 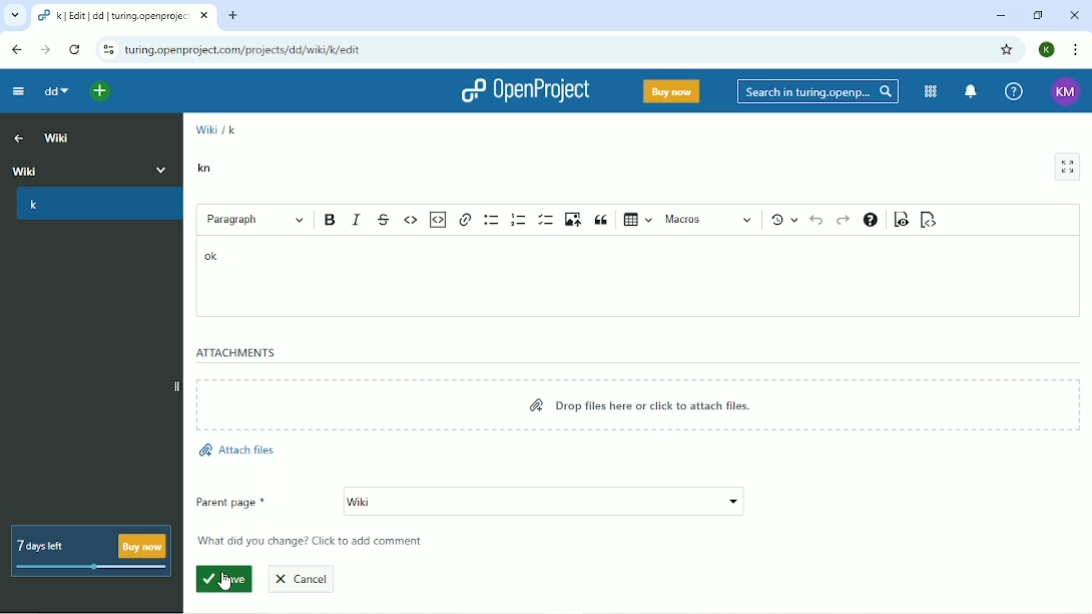 I want to click on Buy now, so click(x=670, y=92).